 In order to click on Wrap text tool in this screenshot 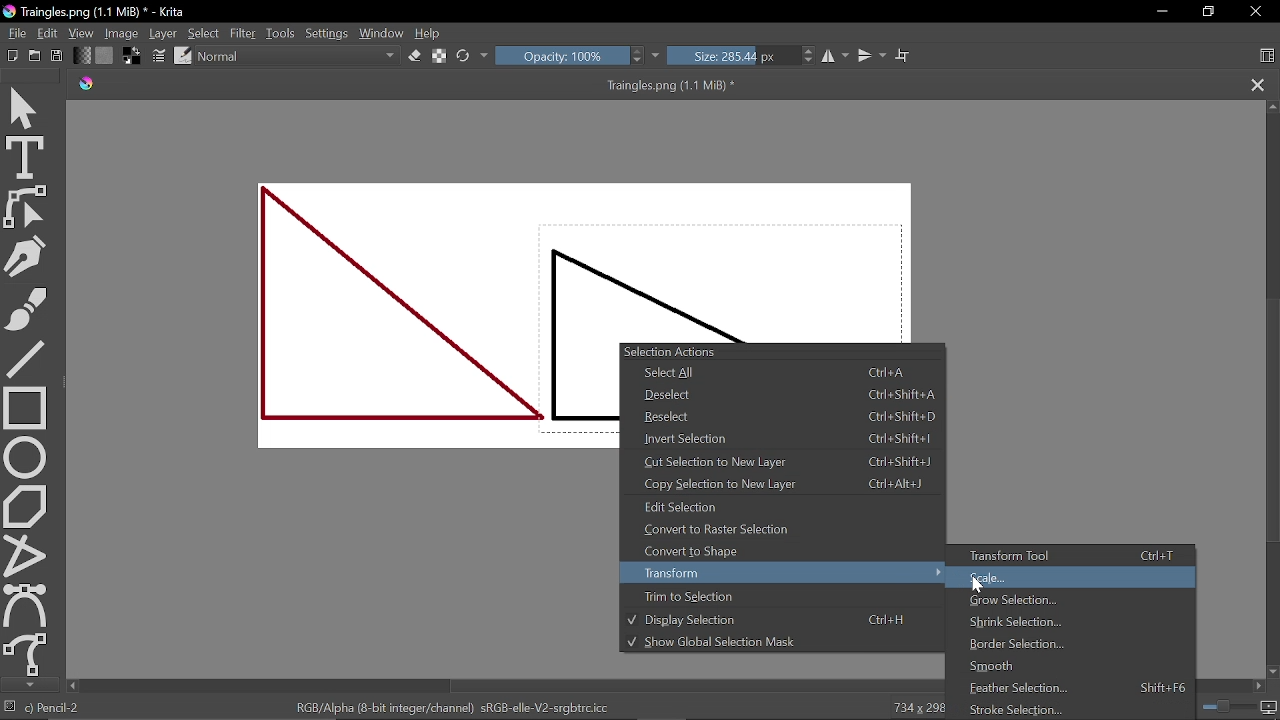, I will do `click(902, 55)`.